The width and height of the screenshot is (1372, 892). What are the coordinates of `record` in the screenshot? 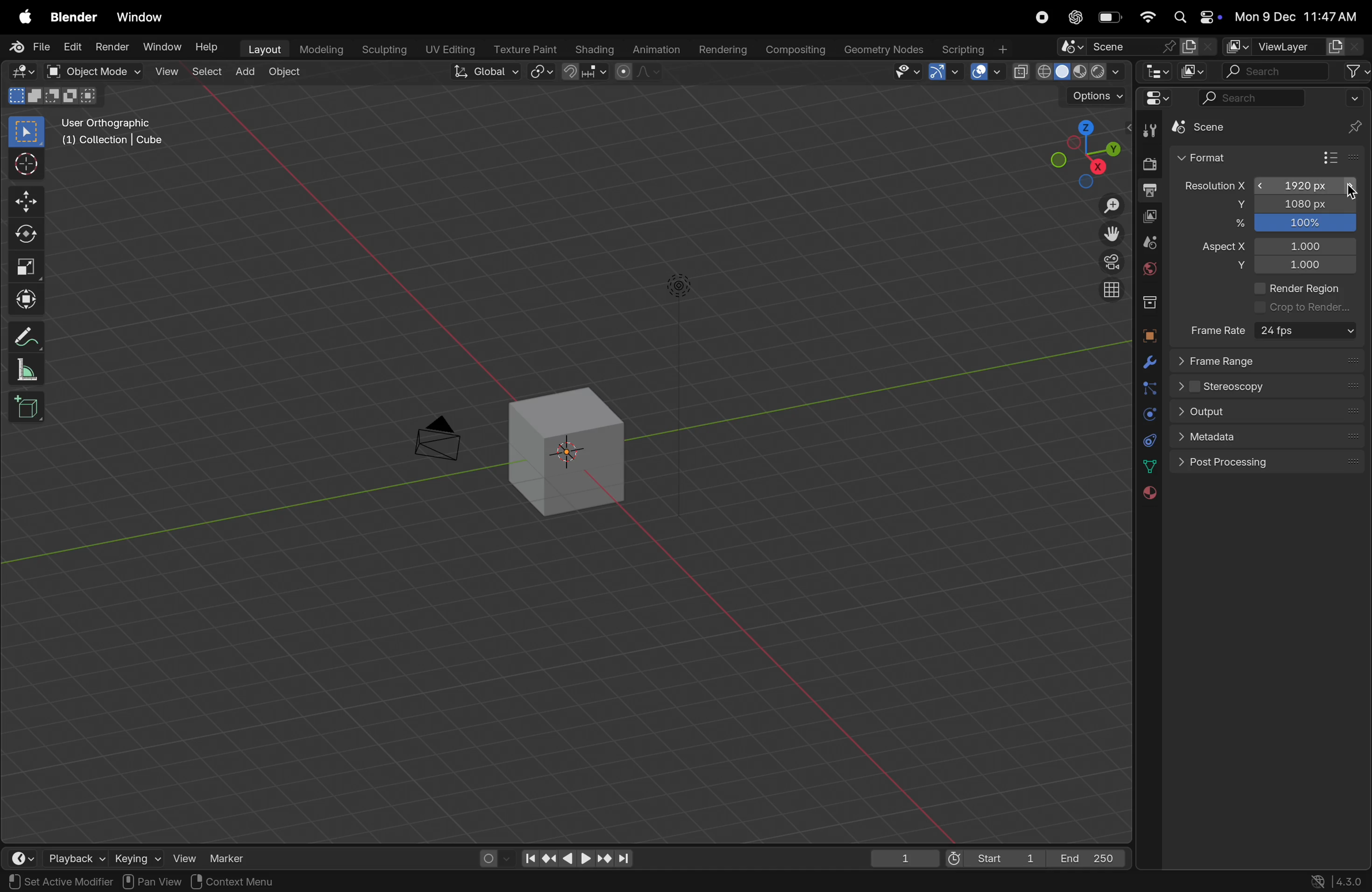 It's located at (1043, 18).